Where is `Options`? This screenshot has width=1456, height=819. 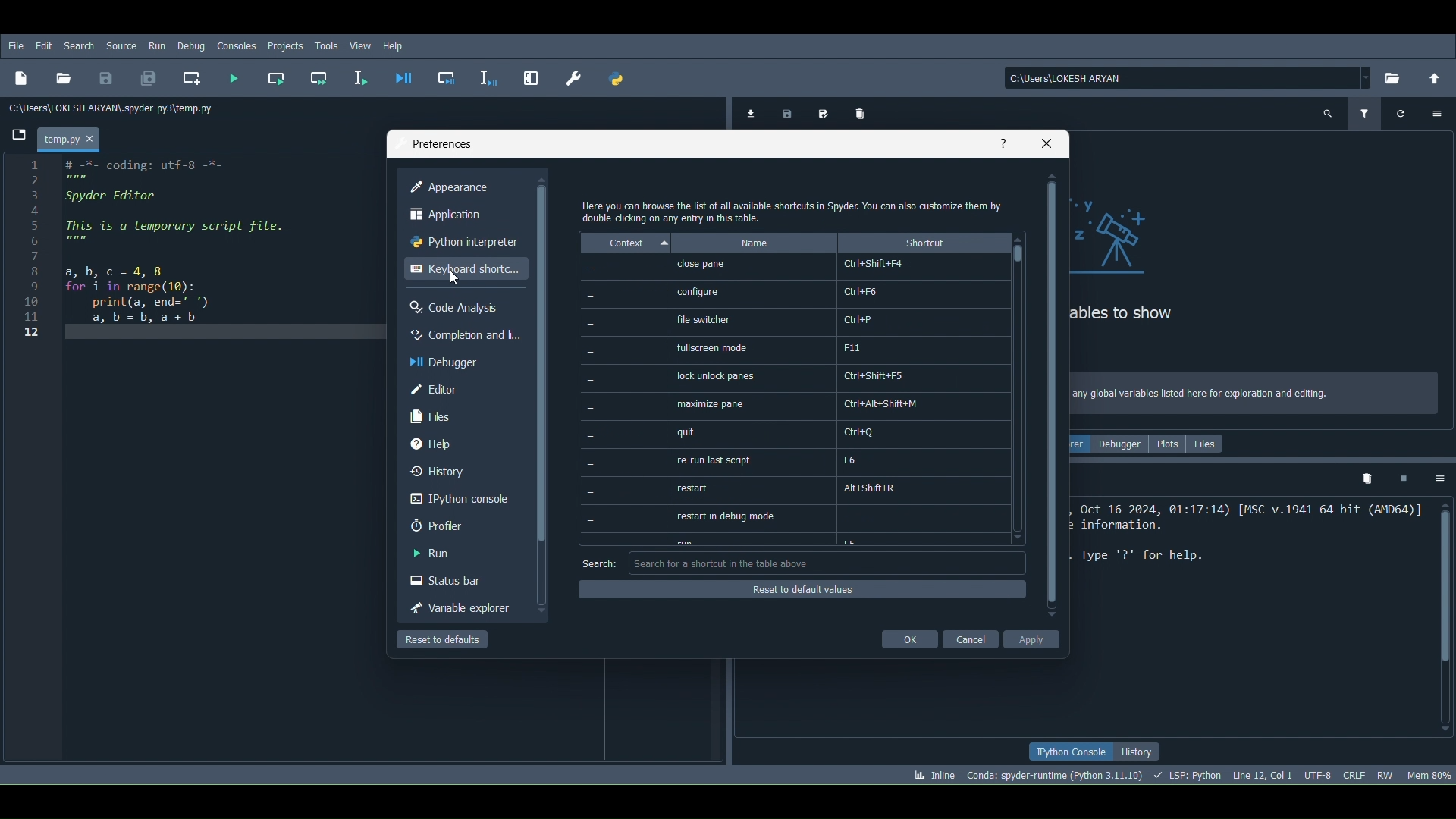 Options is located at coordinates (1439, 479).